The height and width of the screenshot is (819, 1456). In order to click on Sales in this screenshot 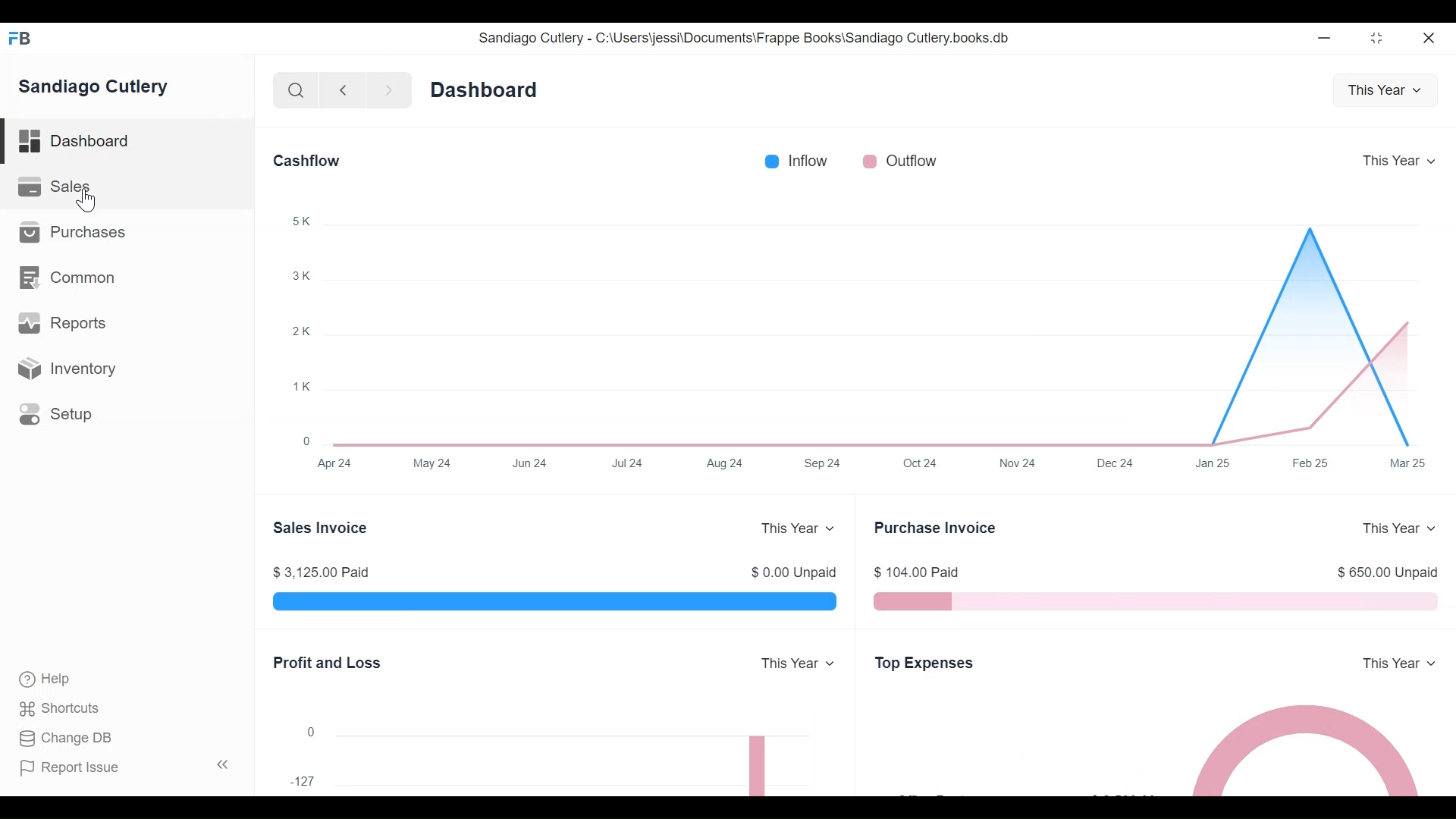, I will do `click(55, 184)`.